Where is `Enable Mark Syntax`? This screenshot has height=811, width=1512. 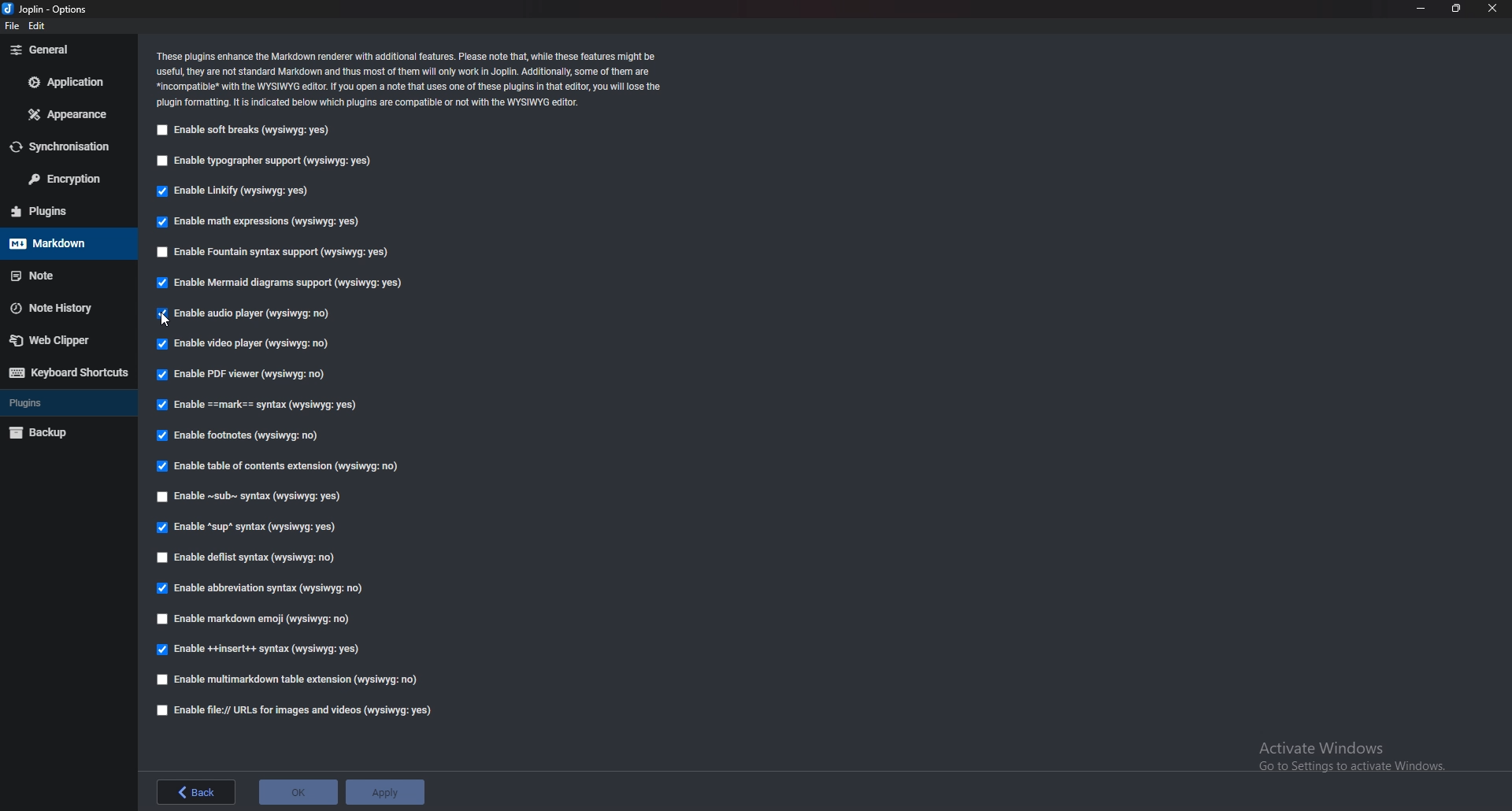
Enable Mark Syntax is located at coordinates (267, 405).